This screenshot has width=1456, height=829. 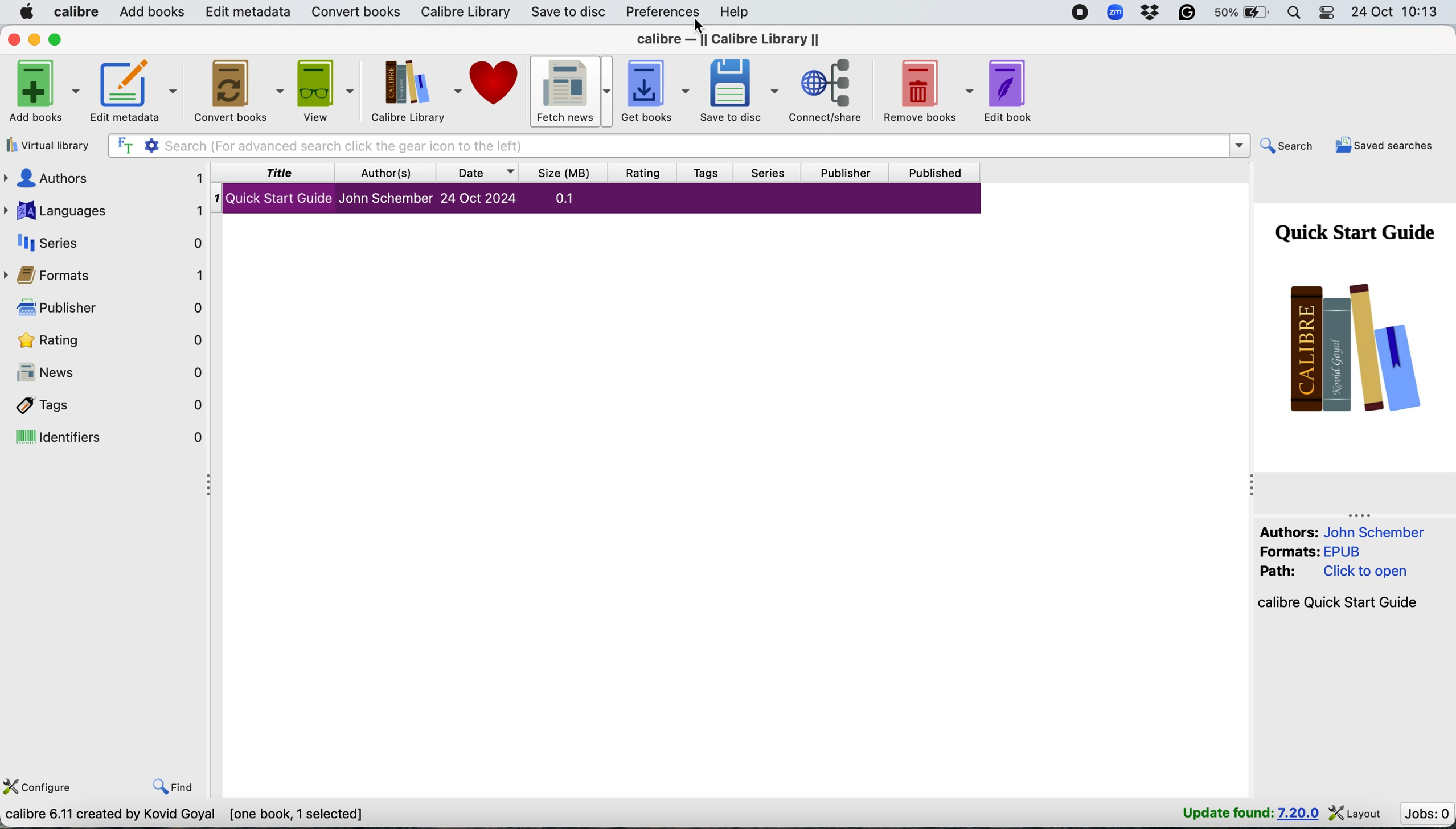 I want to click on edit metadata, so click(x=133, y=92).